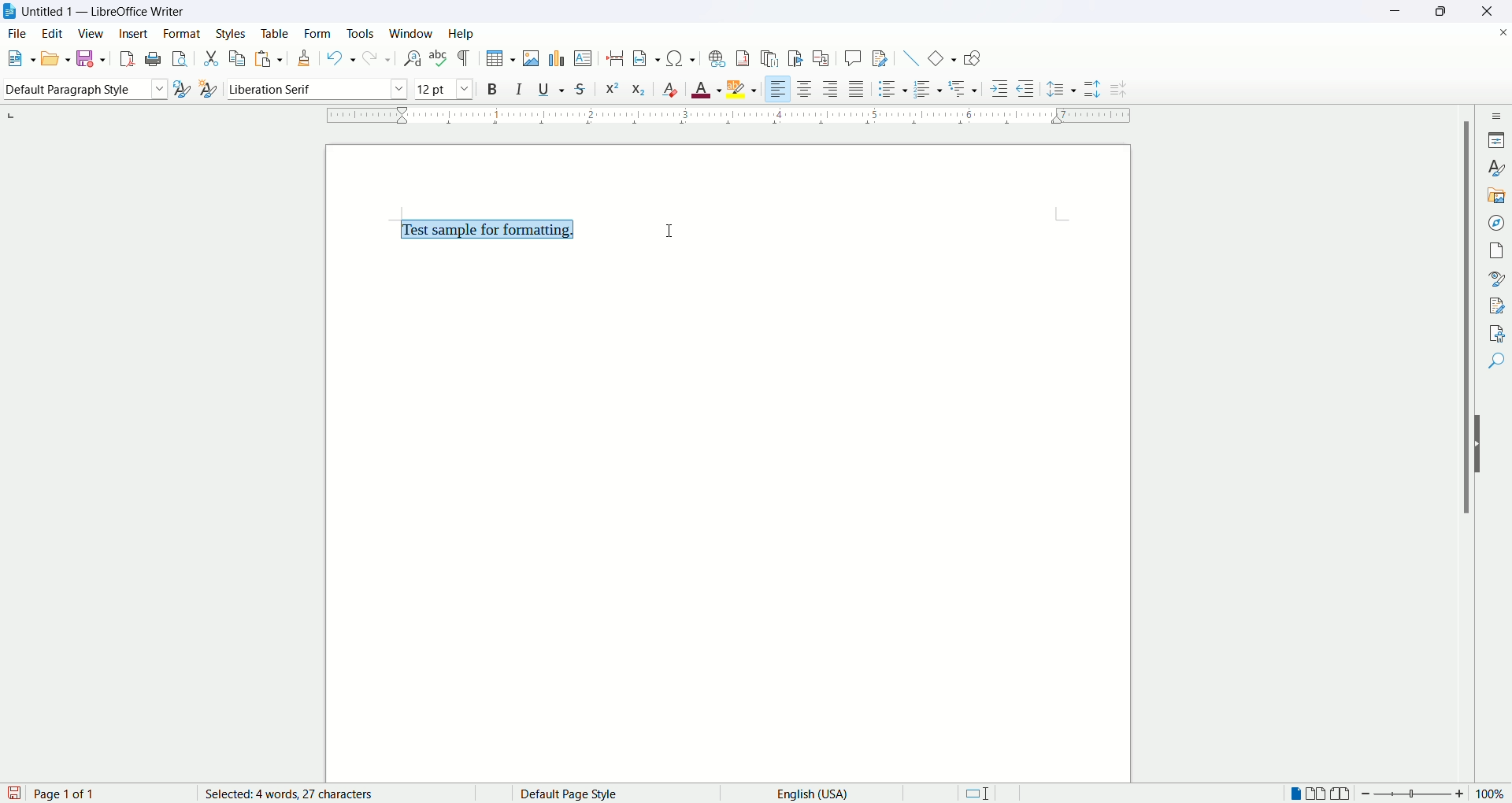  I want to click on update selected style, so click(181, 87).